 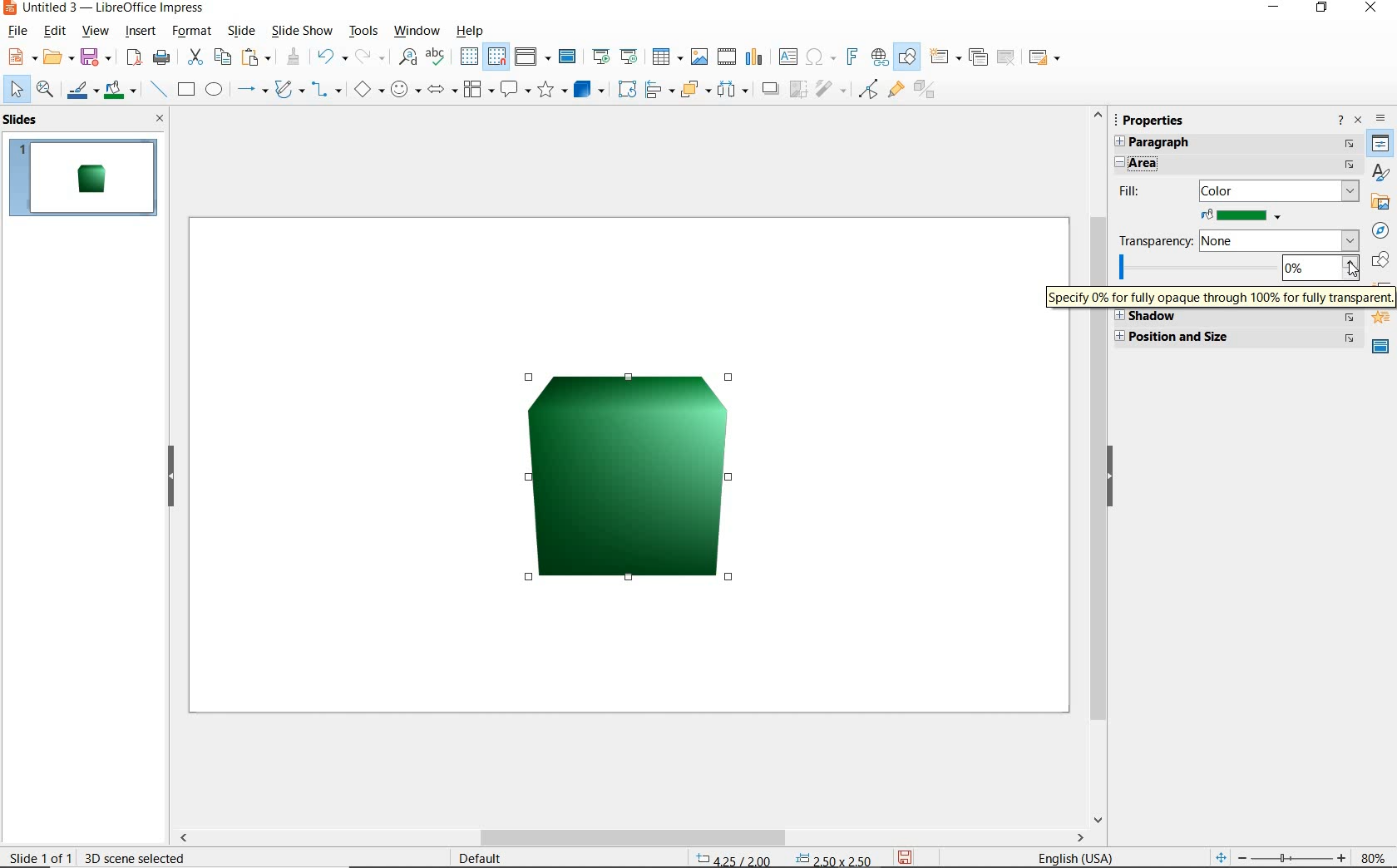 I want to click on spelling, so click(x=440, y=57).